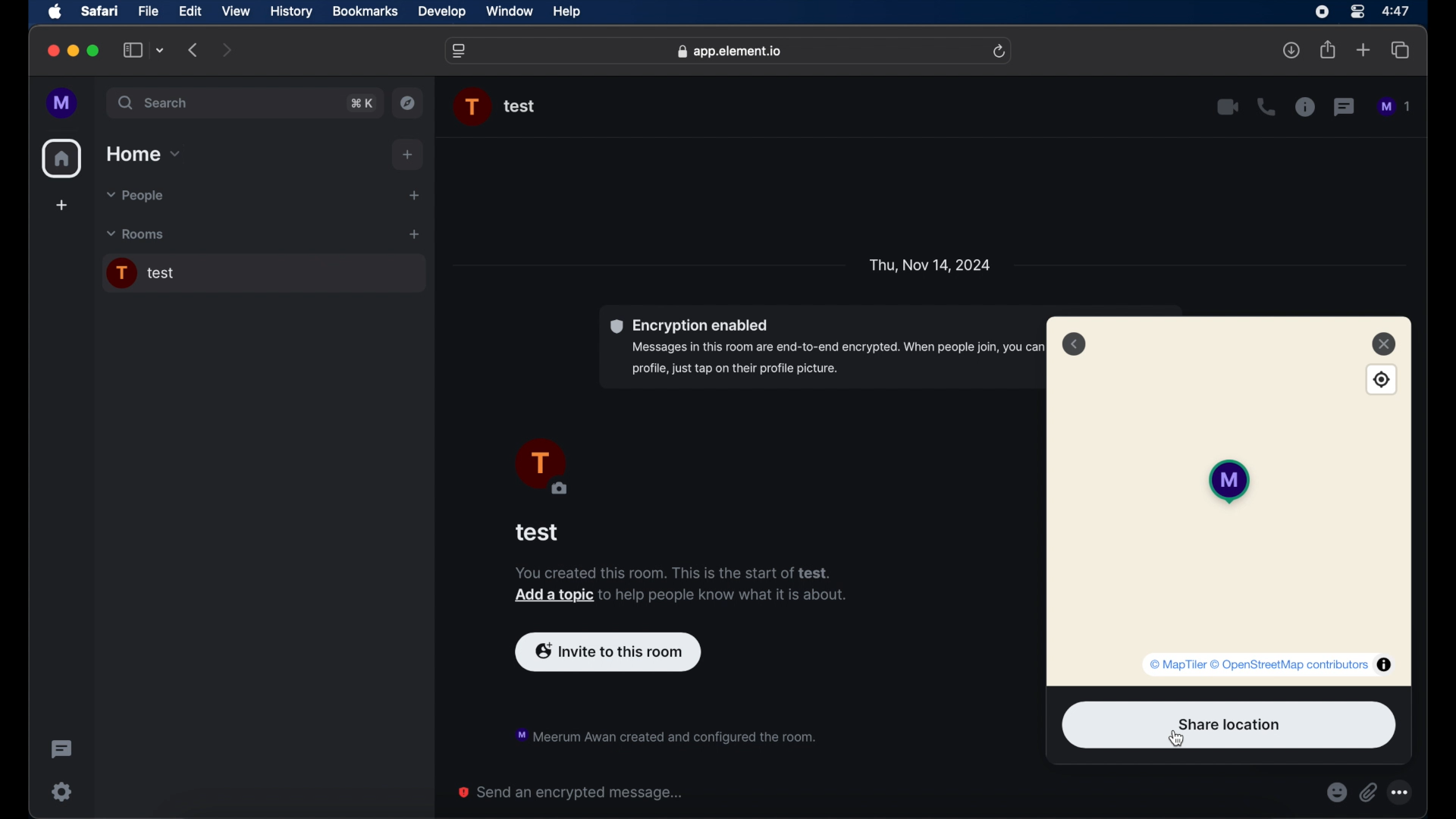  I want to click on messages, so click(1395, 107).